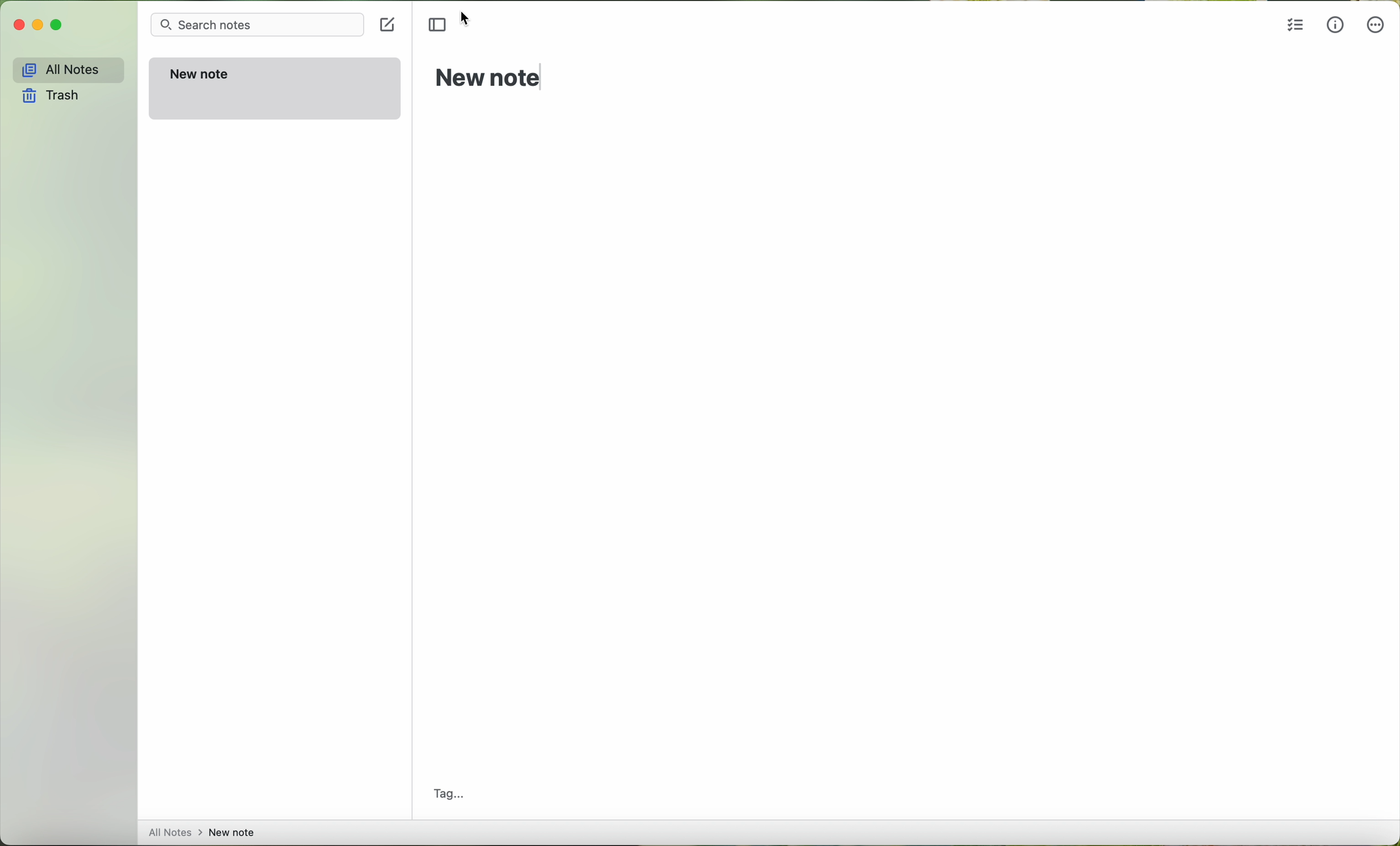 This screenshot has width=1400, height=846. I want to click on minimize Simplenote, so click(37, 26).